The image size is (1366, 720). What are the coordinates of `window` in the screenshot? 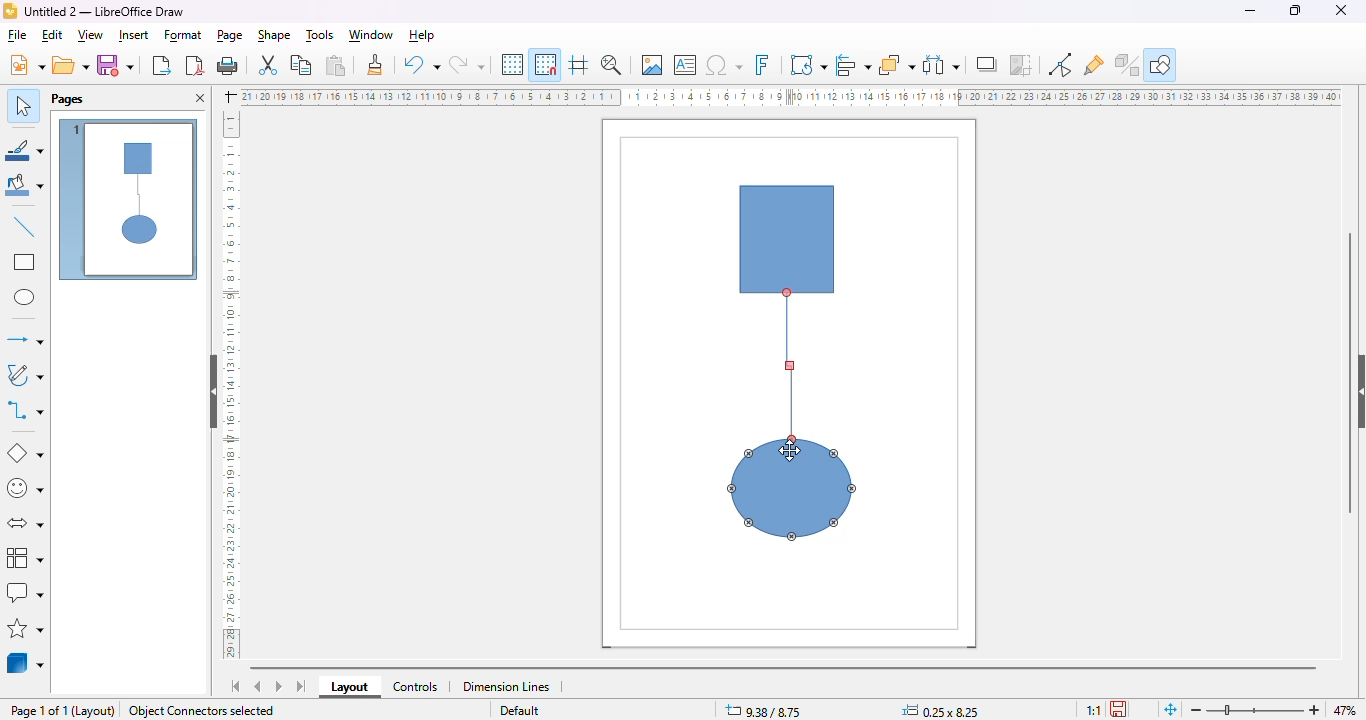 It's located at (371, 35).